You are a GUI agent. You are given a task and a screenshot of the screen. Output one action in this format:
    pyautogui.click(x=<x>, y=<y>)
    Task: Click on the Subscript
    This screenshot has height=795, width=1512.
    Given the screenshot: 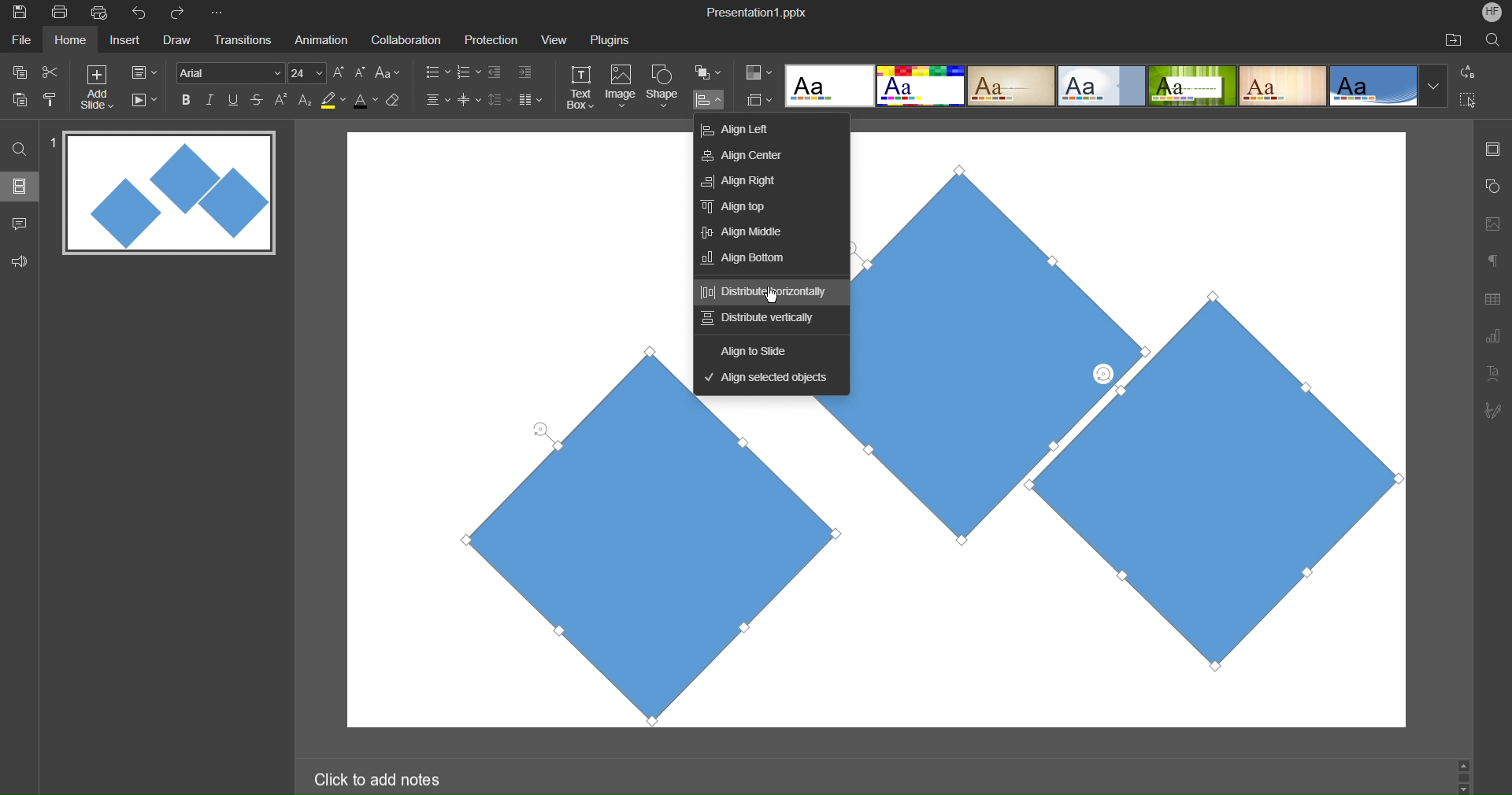 What is the action you would take?
    pyautogui.click(x=306, y=99)
    